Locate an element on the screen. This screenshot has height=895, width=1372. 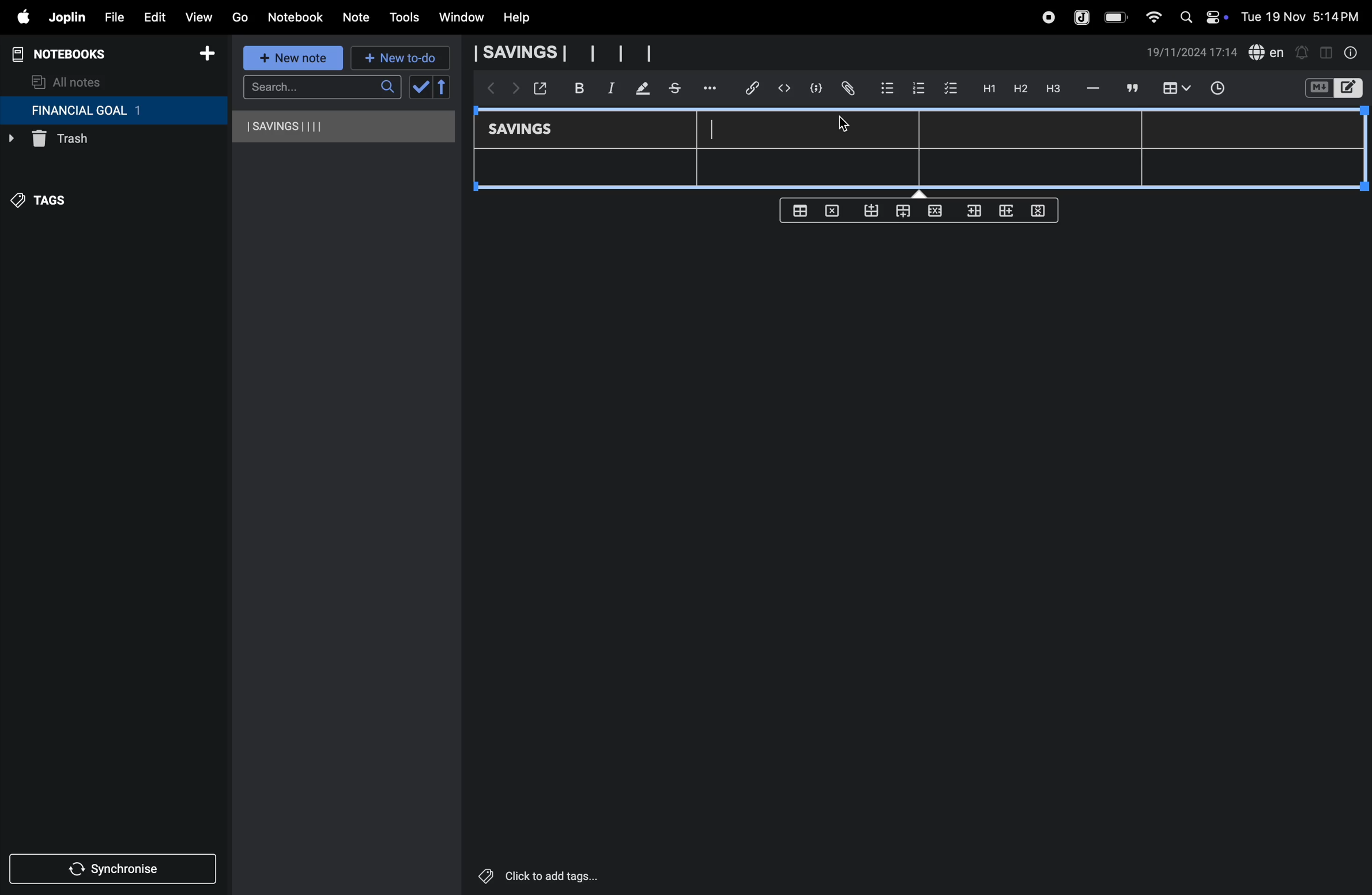
backward is located at coordinates (487, 89).